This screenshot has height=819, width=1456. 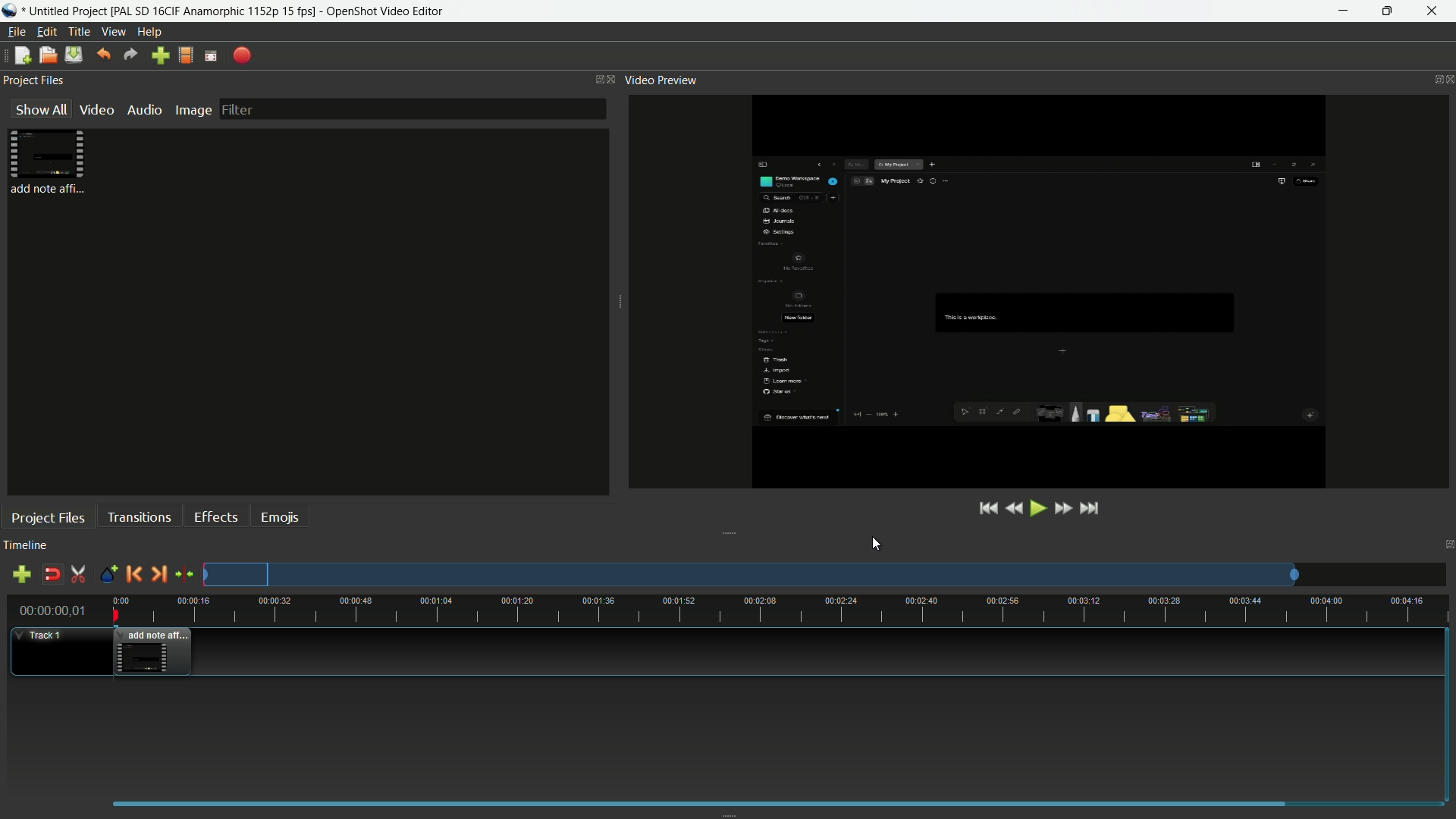 I want to click on image, so click(x=192, y=111).